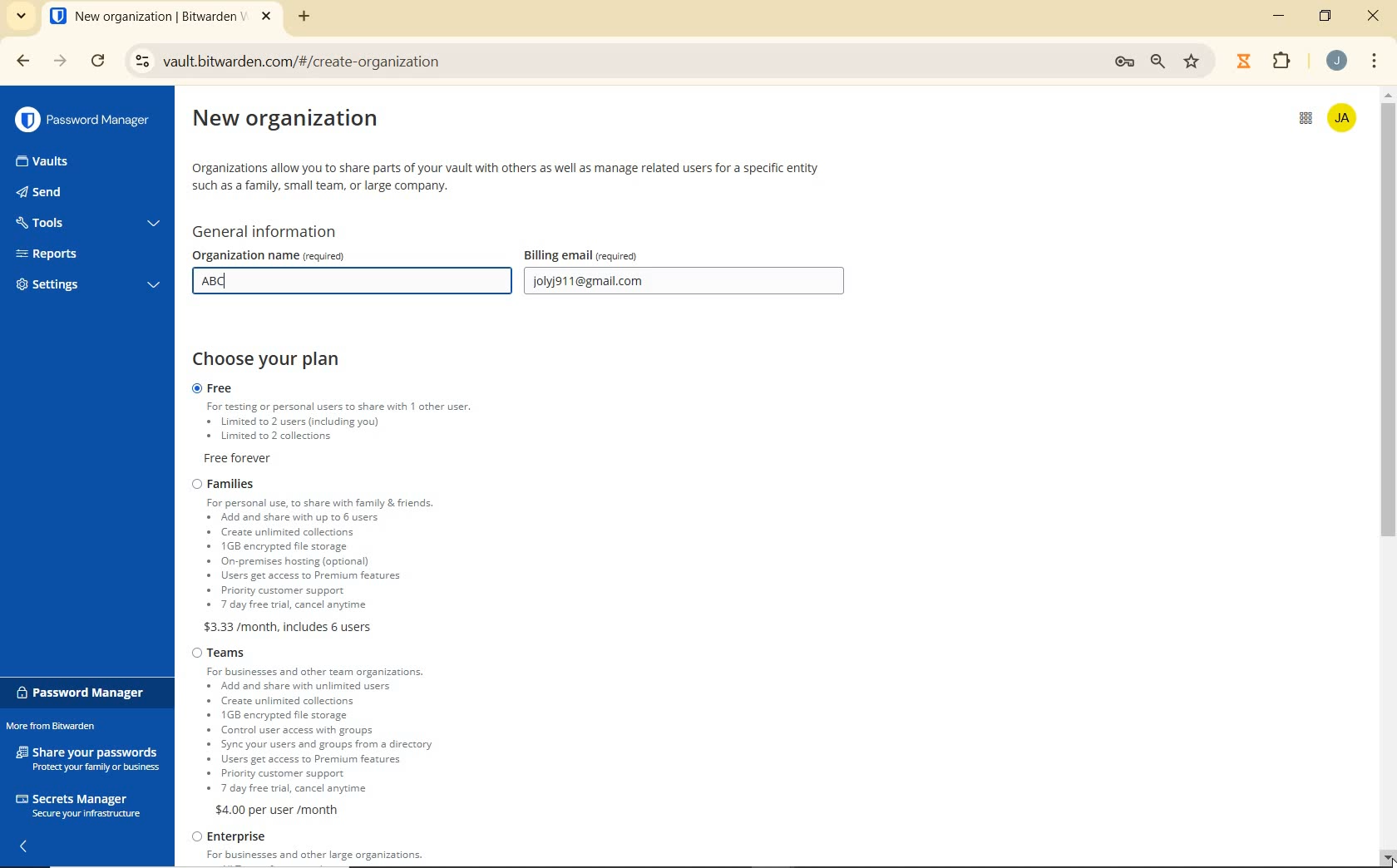  Describe the element at coordinates (60, 62) in the screenshot. I see `FORWARD` at that location.